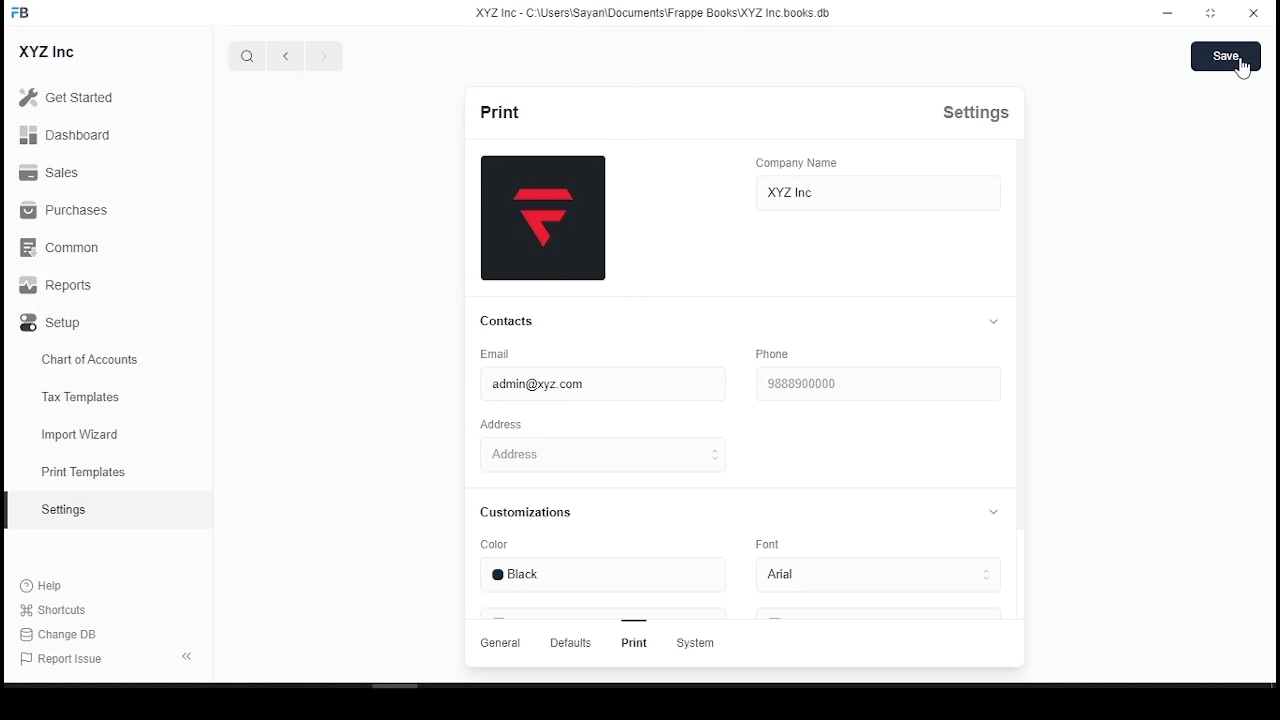 The width and height of the screenshot is (1280, 720). I want to click on Dashboard, so click(68, 137).